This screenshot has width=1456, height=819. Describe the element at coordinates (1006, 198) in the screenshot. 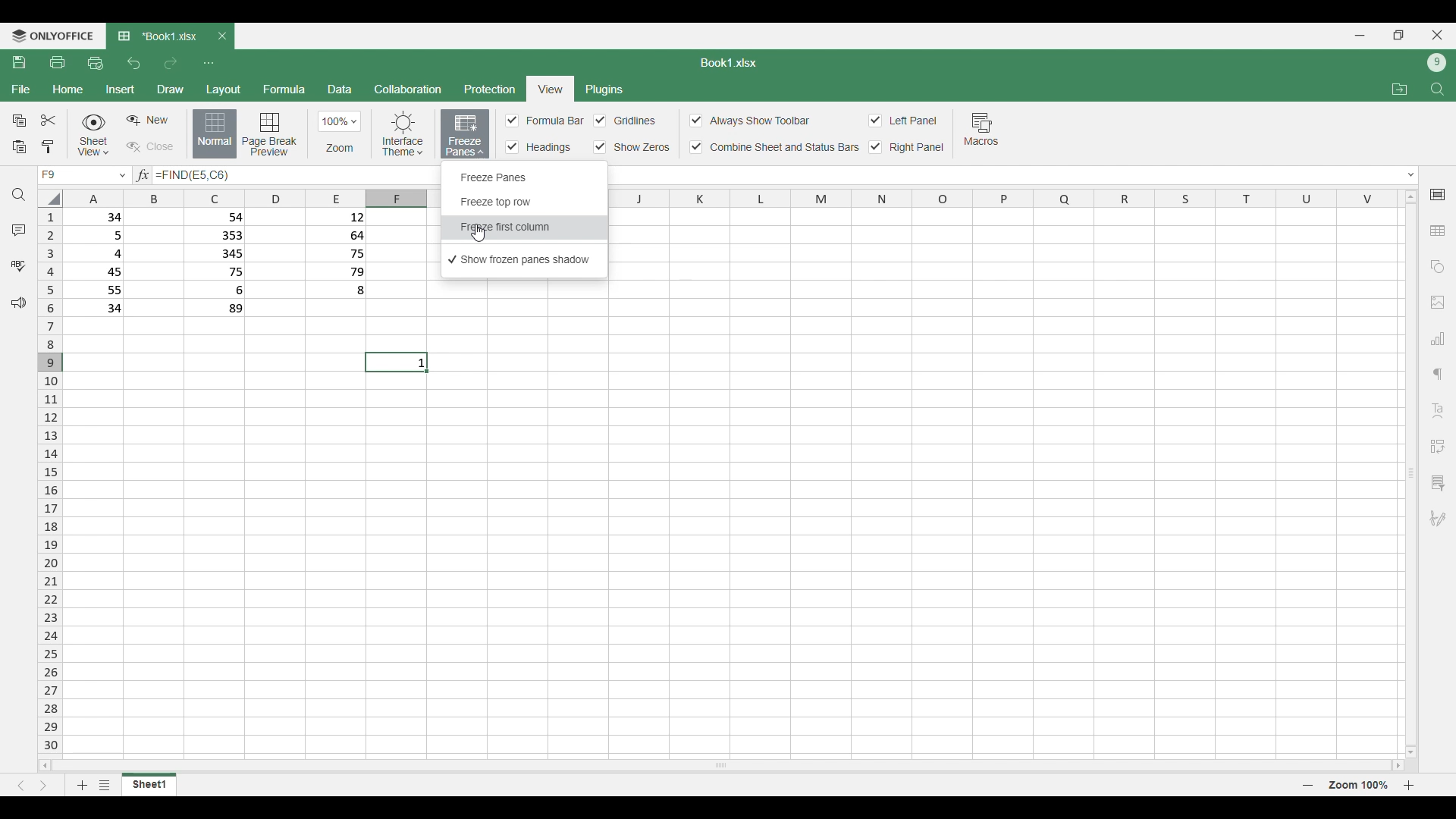

I see `indicates column` at that location.